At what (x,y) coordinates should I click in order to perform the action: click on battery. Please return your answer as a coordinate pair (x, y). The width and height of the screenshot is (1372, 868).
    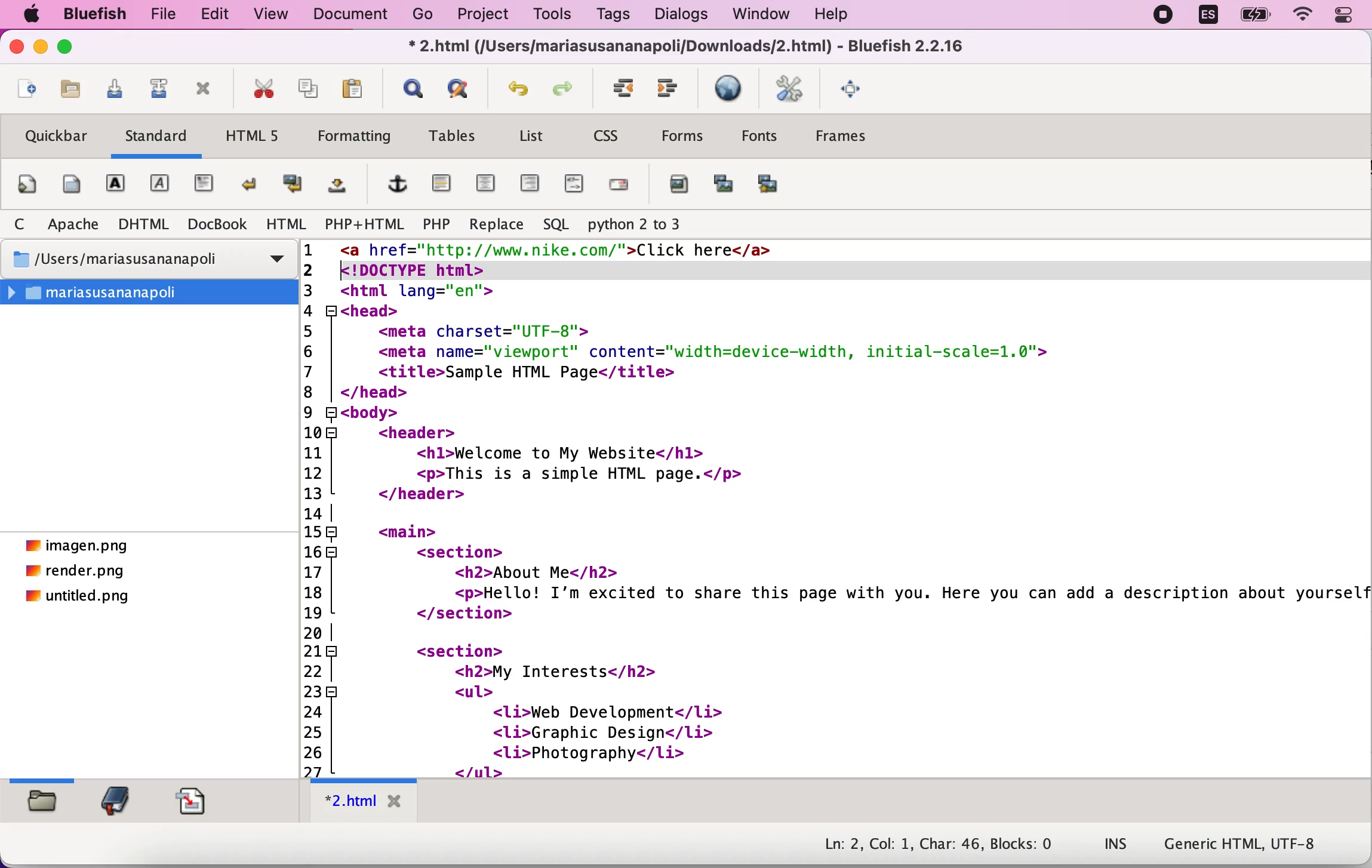
    Looking at the image, I should click on (1256, 18).